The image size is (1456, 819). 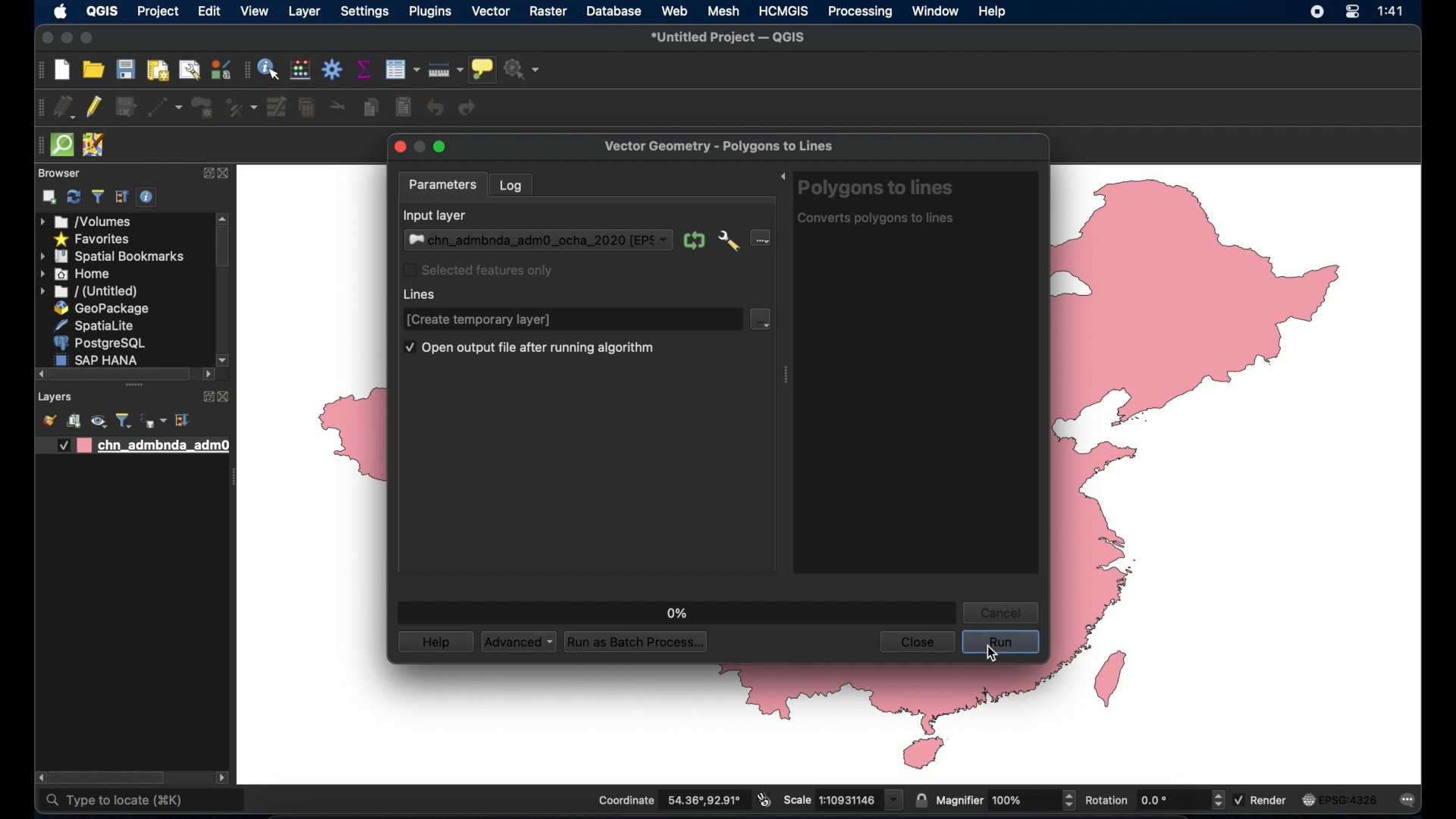 I want to click on postgresql, so click(x=98, y=343).